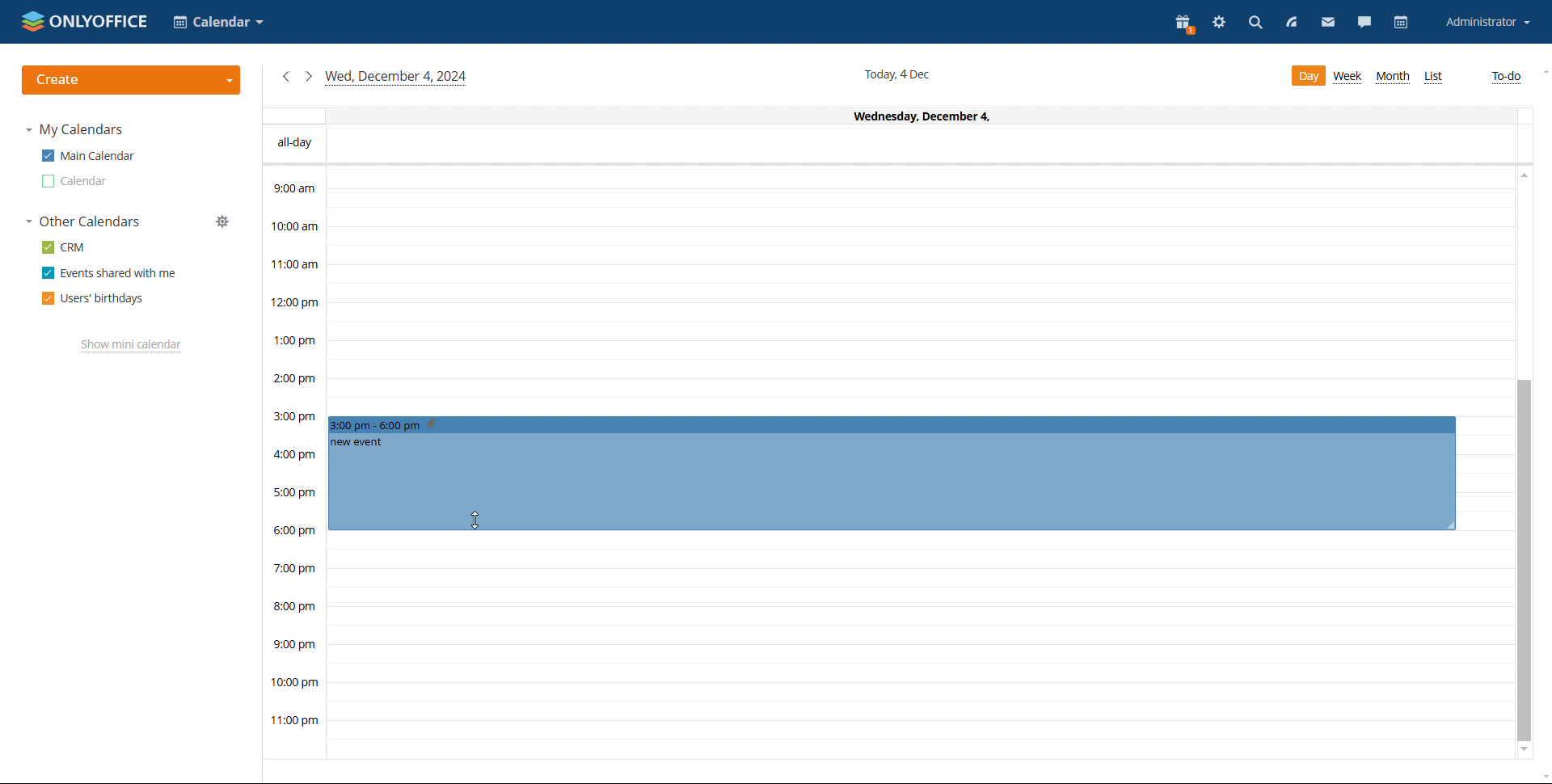 The image size is (1552, 784). What do you see at coordinates (1525, 752) in the screenshot?
I see `scroll down` at bounding box center [1525, 752].